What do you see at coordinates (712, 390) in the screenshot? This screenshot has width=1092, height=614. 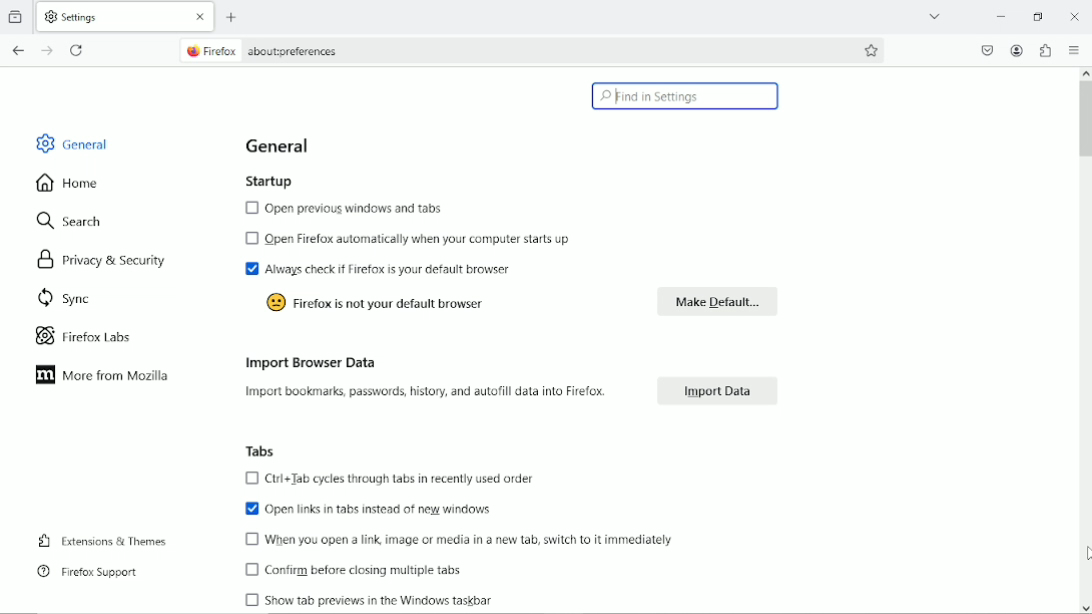 I see `Import data` at bounding box center [712, 390].